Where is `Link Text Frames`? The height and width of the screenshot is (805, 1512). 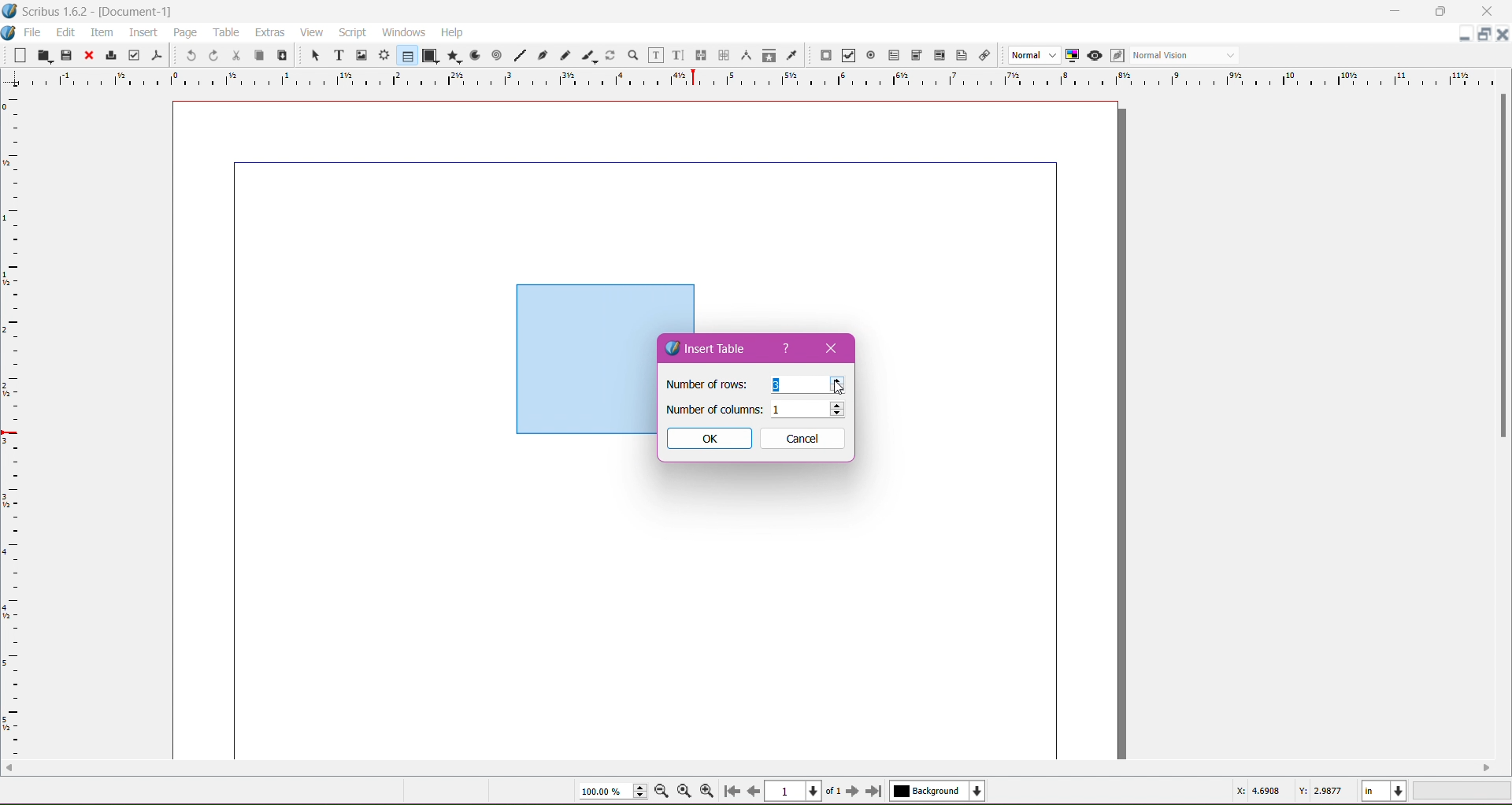
Link Text Frames is located at coordinates (699, 55).